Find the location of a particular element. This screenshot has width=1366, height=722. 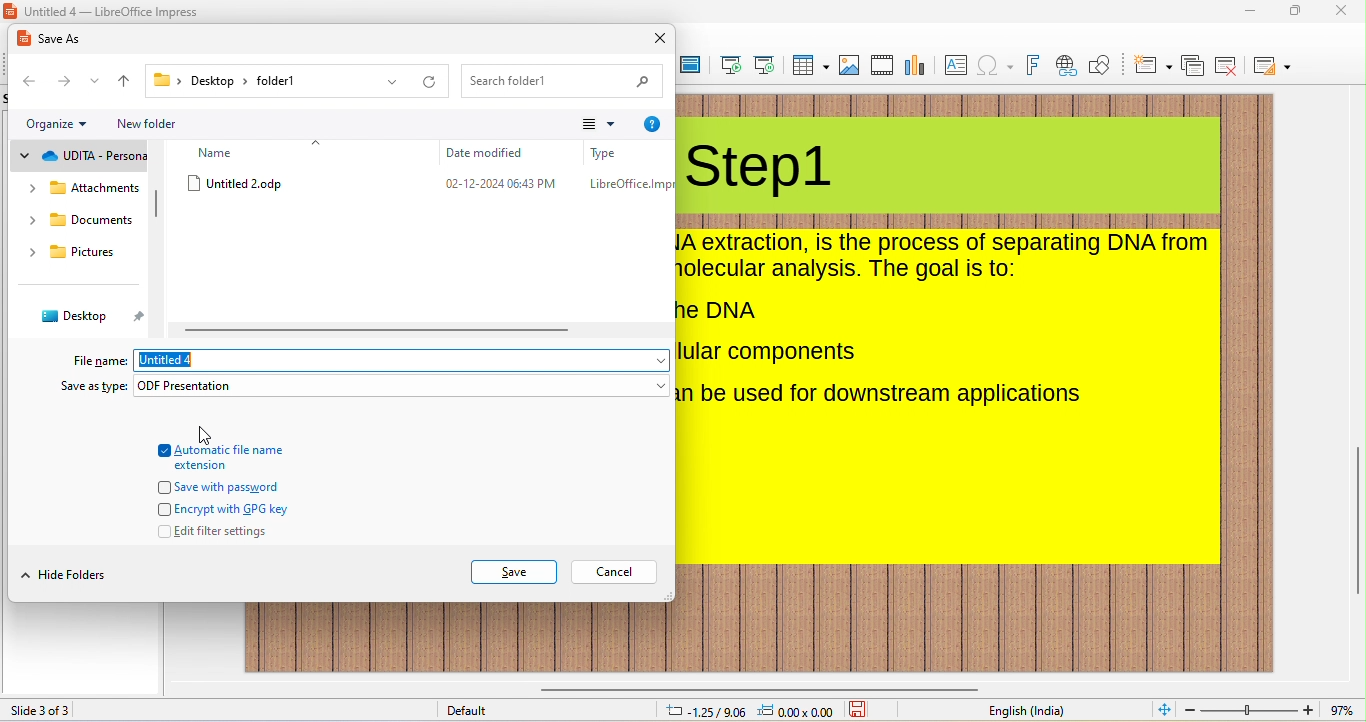

remove slide is located at coordinates (1228, 66).